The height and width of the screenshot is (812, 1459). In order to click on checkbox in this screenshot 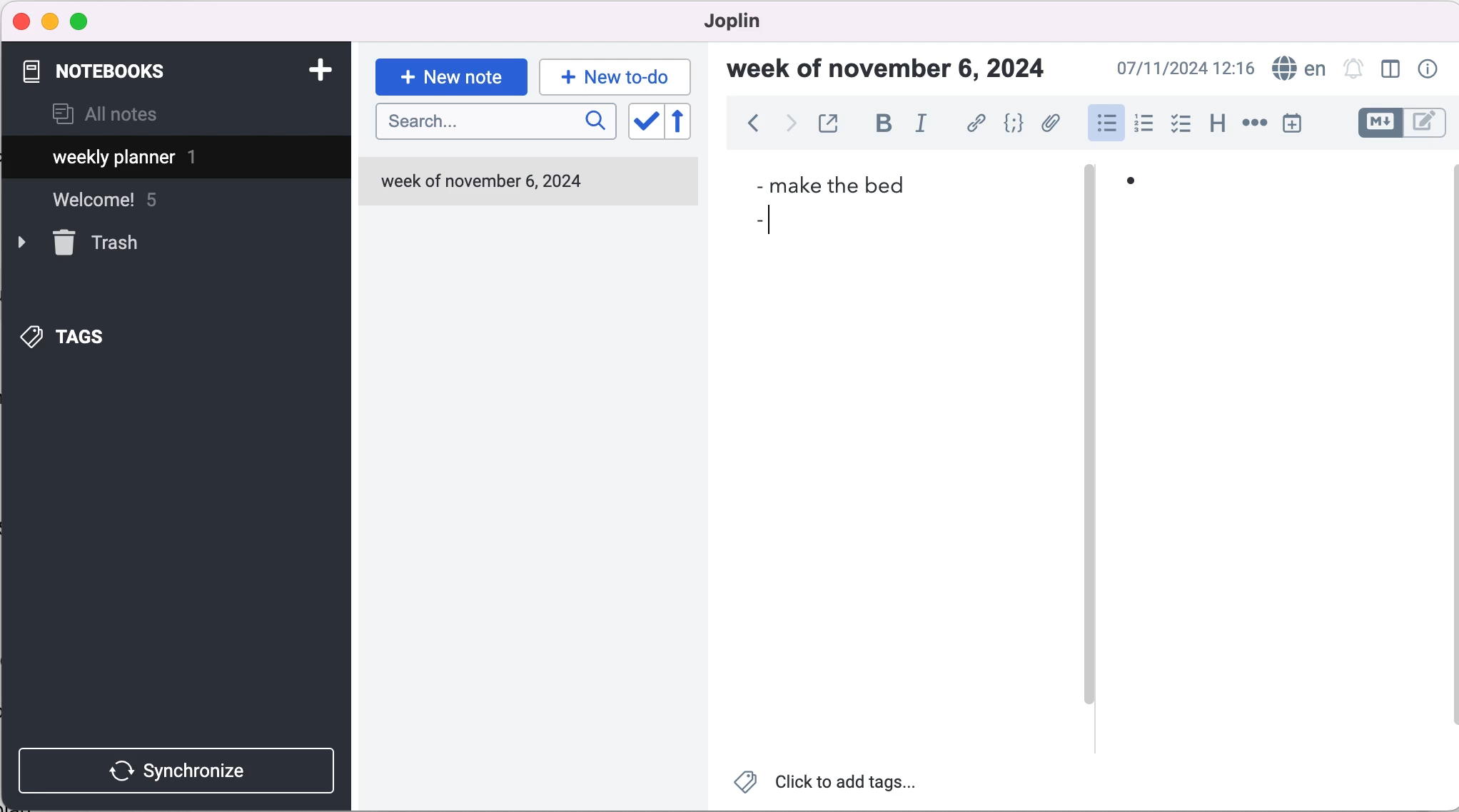, I will do `click(1181, 124)`.